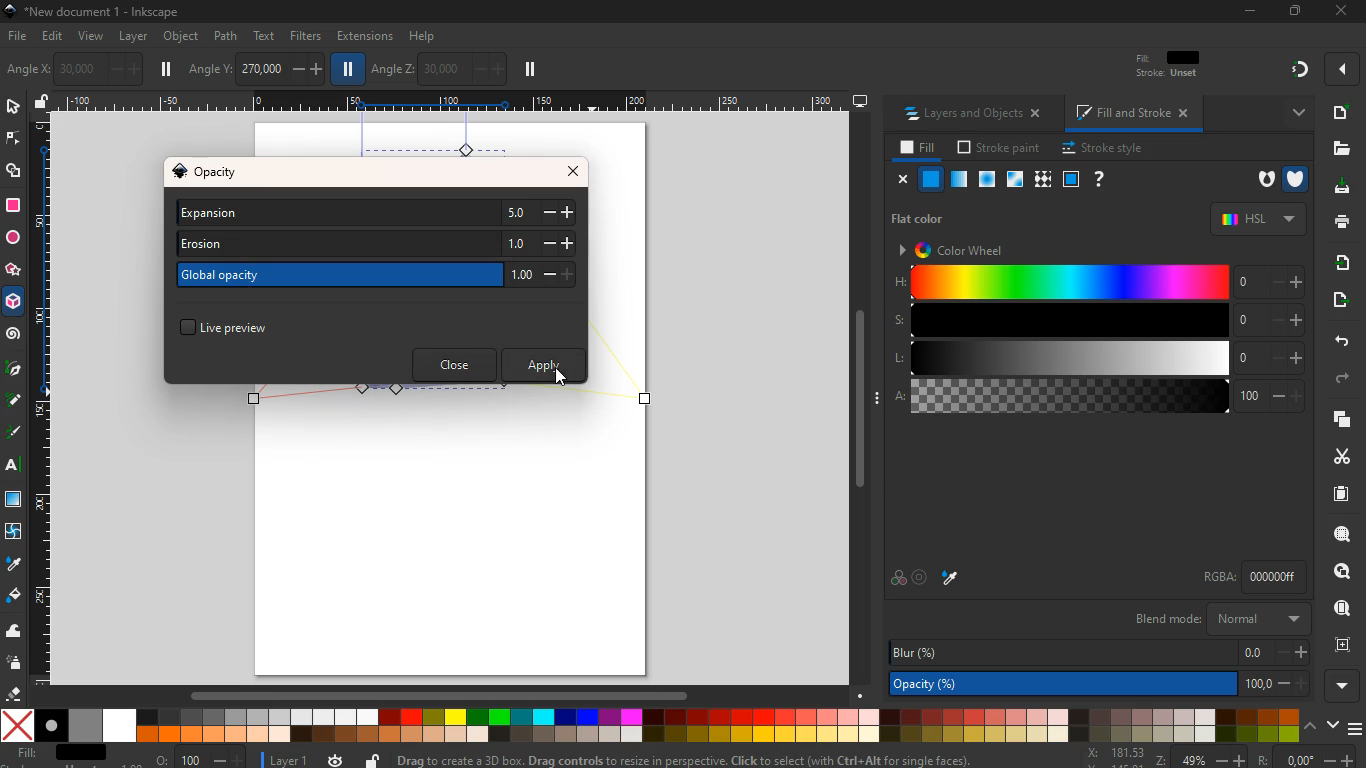 Image resolution: width=1366 pixels, height=768 pixels. I want to click on gradient, so click(1301, 70).